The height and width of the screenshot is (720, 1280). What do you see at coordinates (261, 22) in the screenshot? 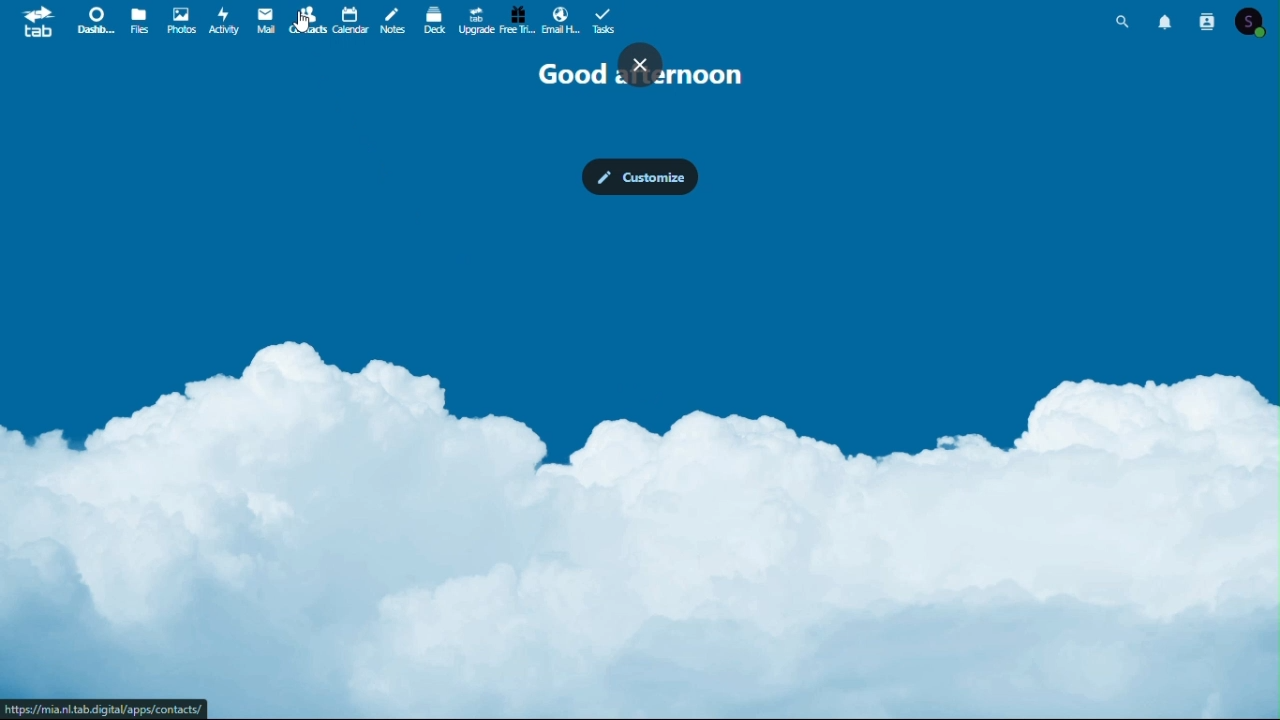
I see `Mail` at bounding box center [261, 22].